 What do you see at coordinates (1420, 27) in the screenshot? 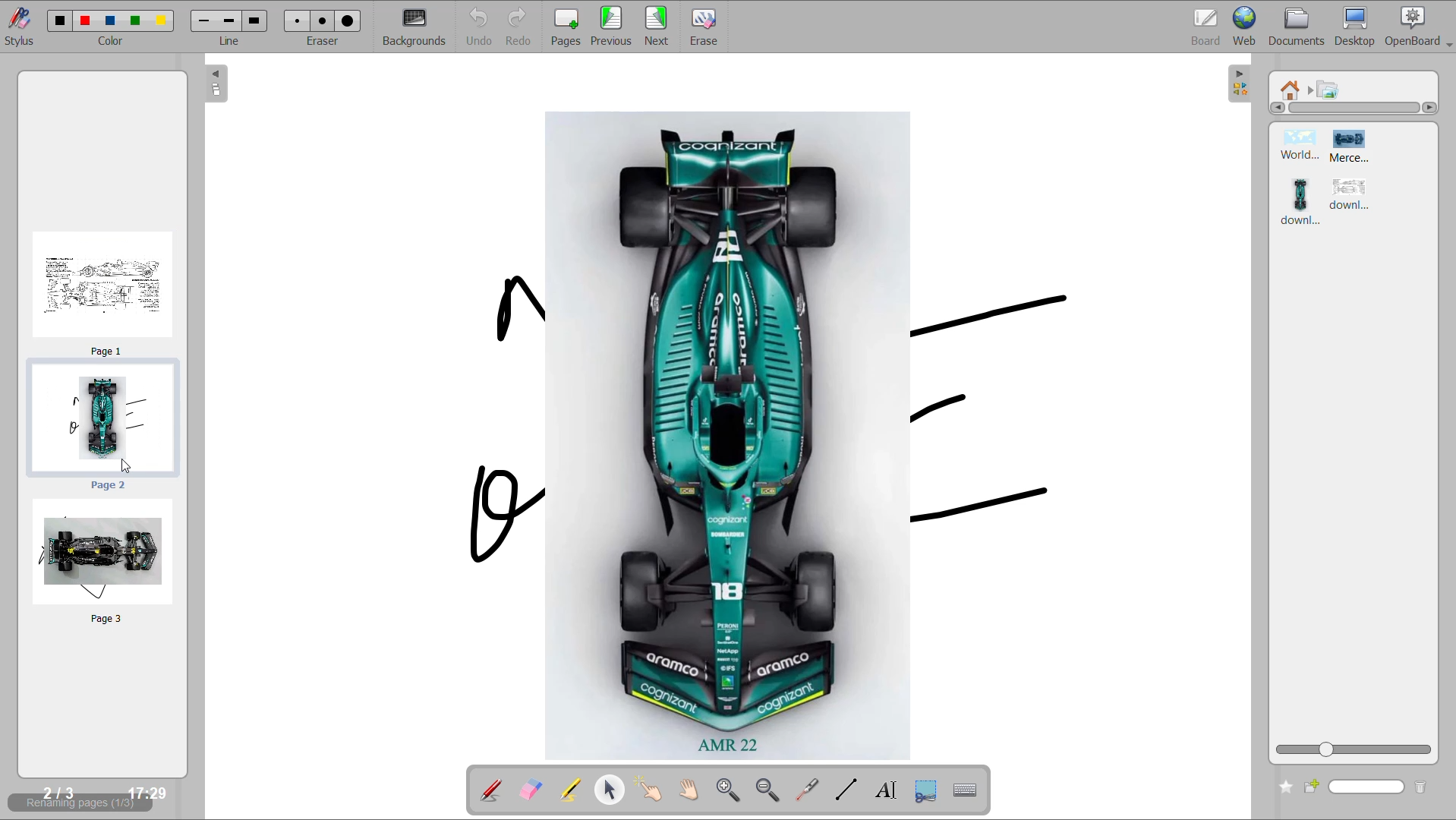
I see `openboard` at bounding box center [1420, 27].